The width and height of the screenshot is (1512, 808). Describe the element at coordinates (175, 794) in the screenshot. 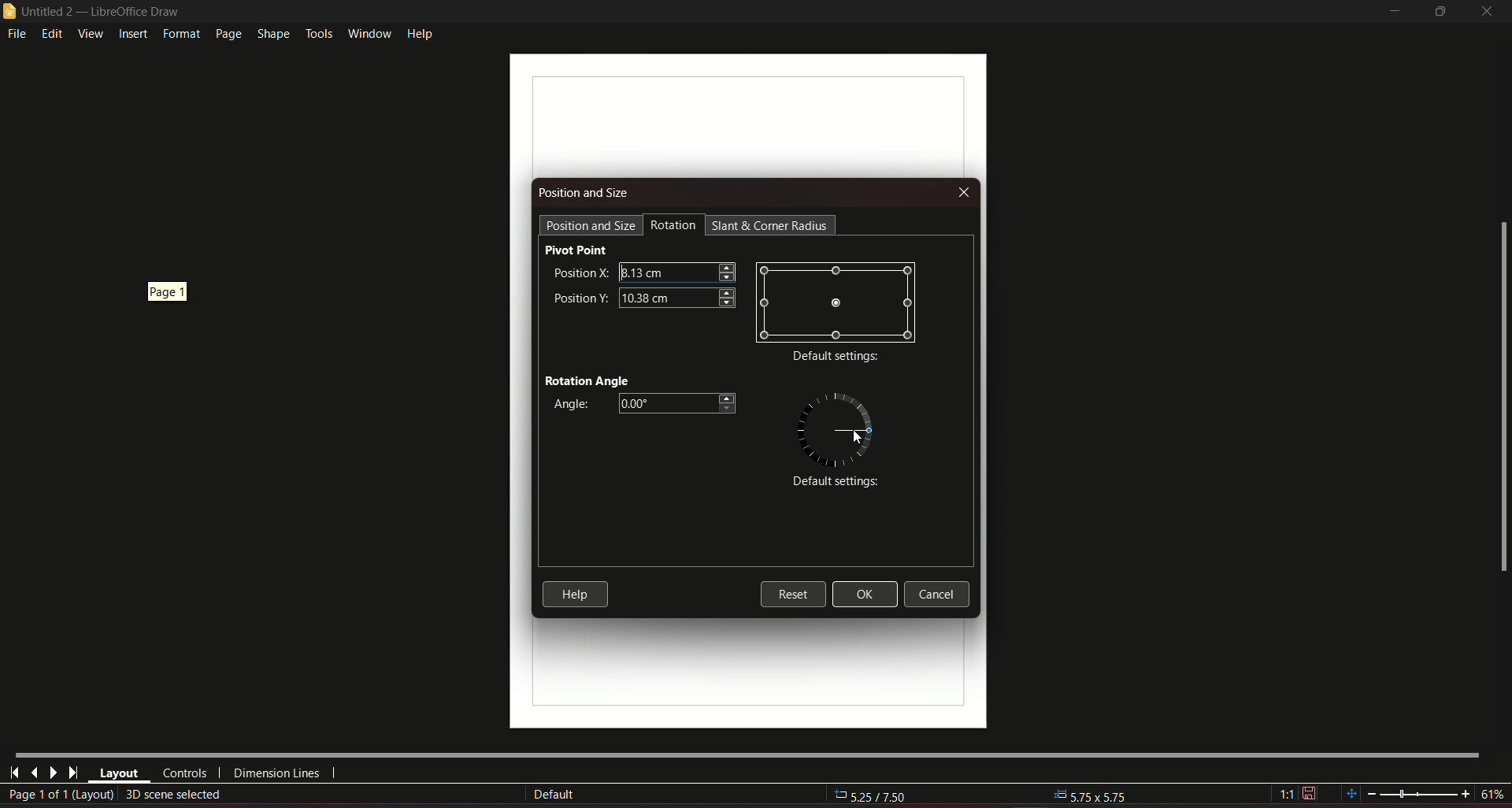

I see `3D scene selected` at that location.